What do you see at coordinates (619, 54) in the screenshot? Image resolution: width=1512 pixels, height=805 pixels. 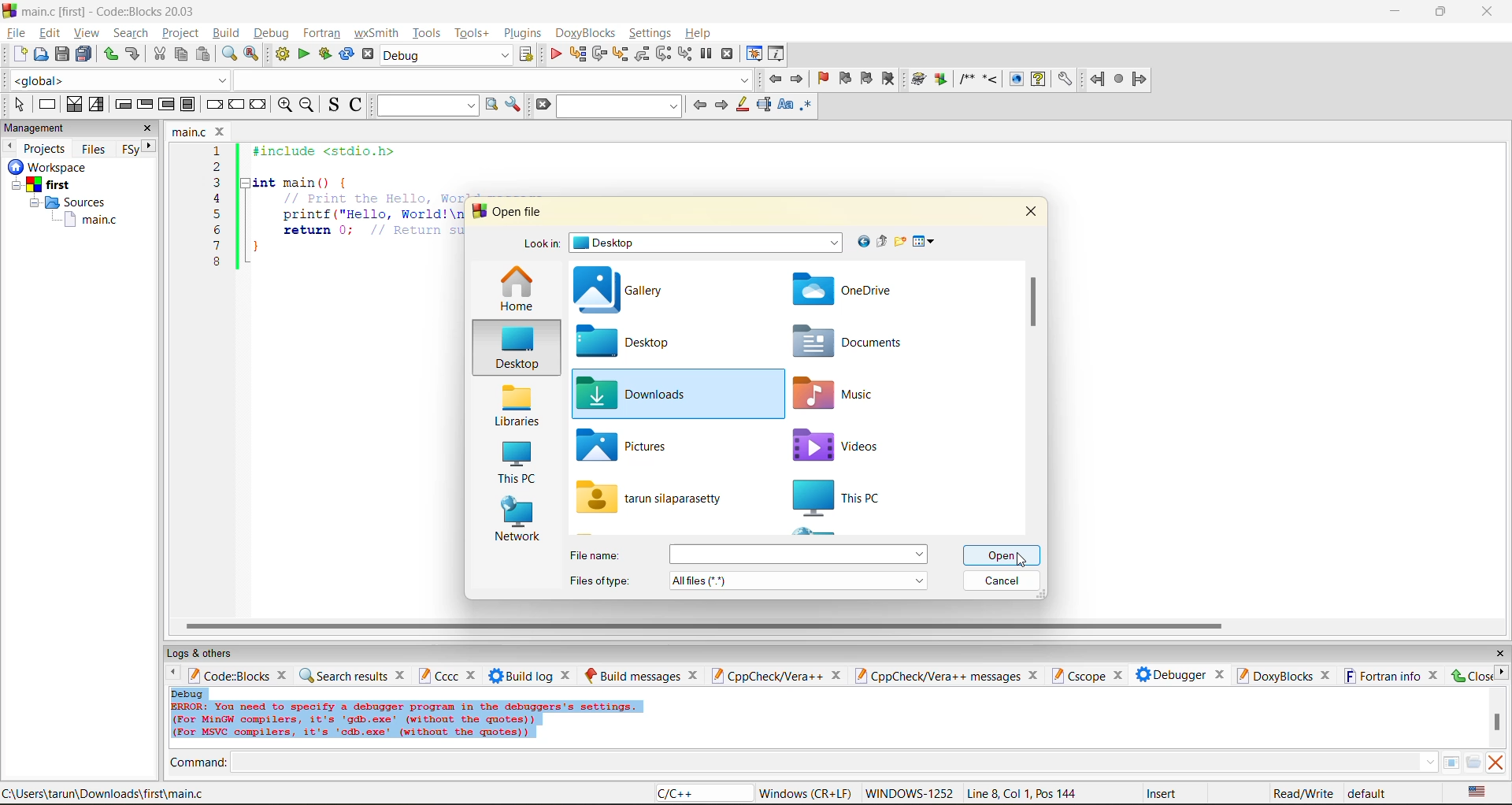 I see `step into` at bounding box center [619, 54].